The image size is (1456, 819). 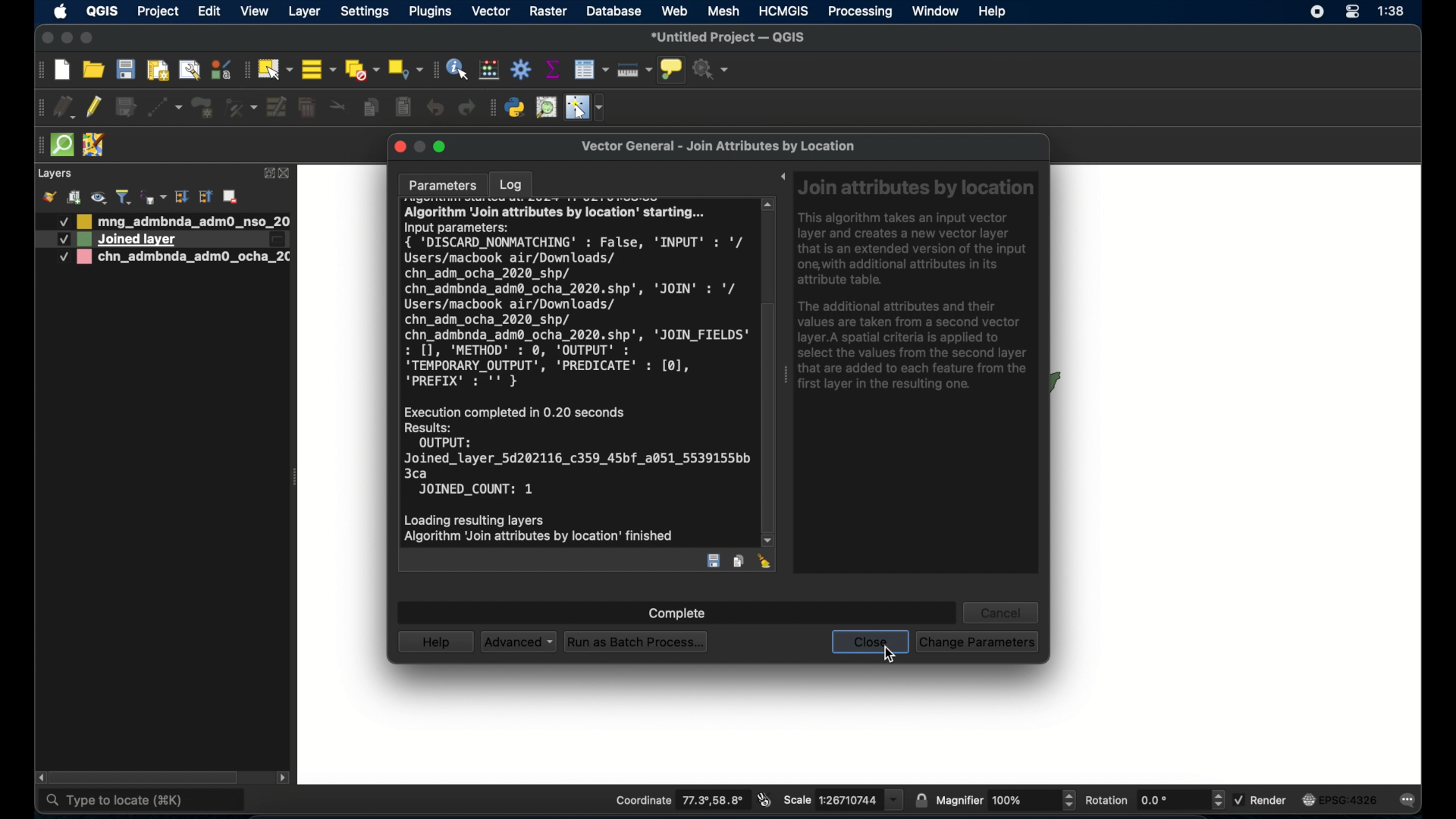 What do you see at coordinates (770, 207) in the screenshot?
I see `scroll up arrow` at bounding box center [770, 207].